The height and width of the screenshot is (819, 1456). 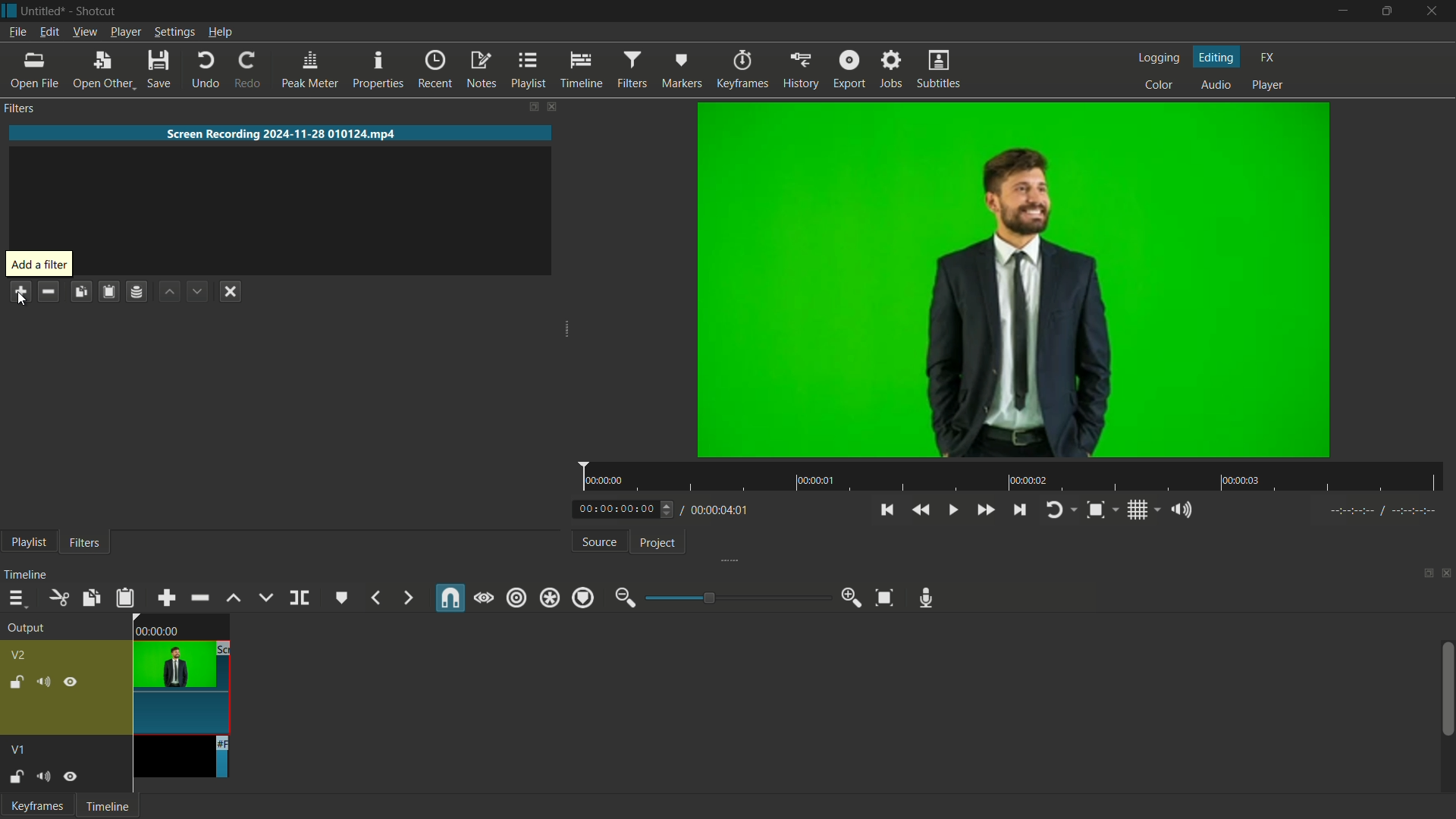 What do you see at coordinates (1054, 510) in the screenshot?
I see `toggle player looping` at bounding box center [1054, 510].